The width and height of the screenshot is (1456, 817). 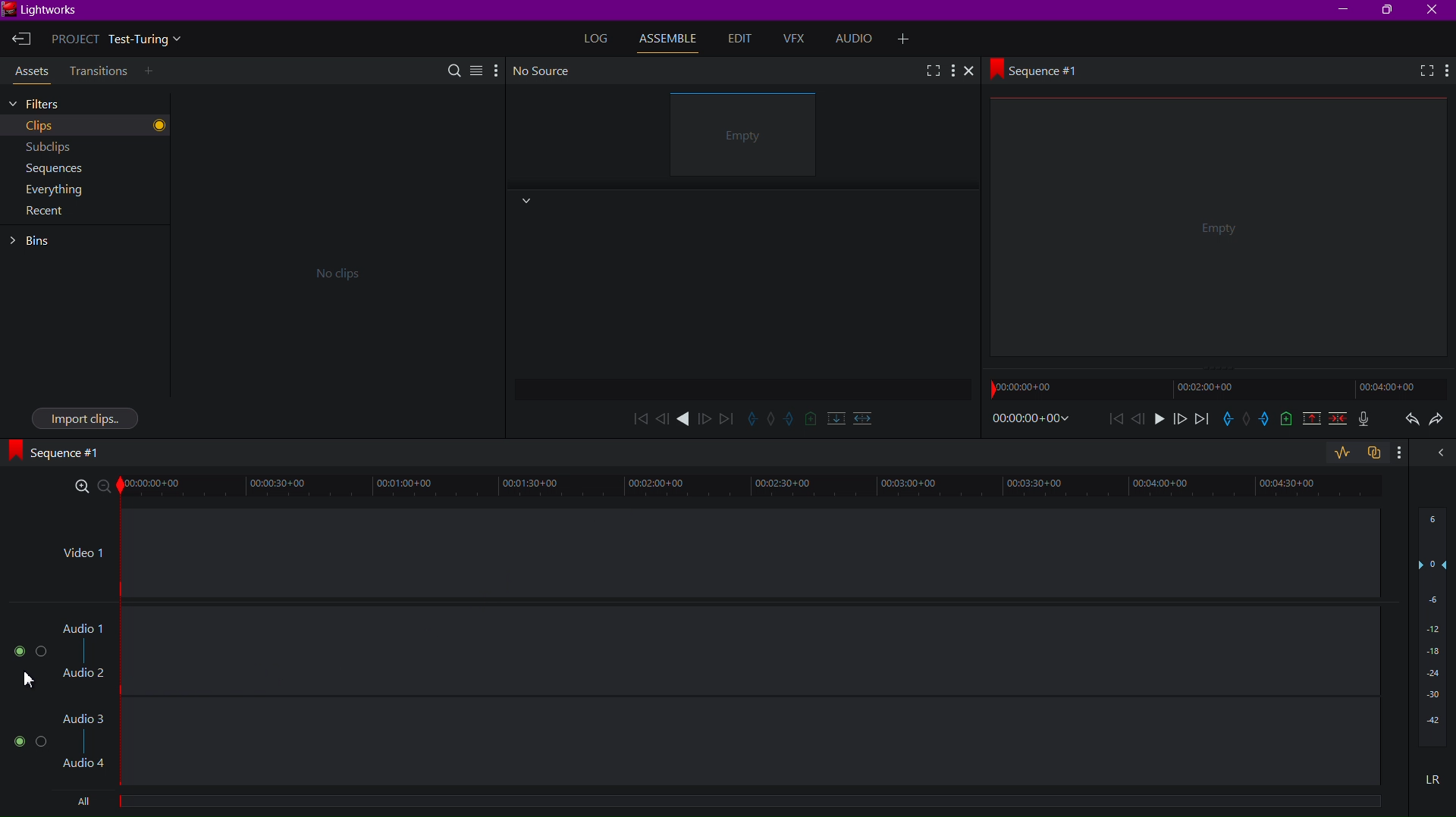 I want to click on Audio Level, so click(x=1432, y=633).